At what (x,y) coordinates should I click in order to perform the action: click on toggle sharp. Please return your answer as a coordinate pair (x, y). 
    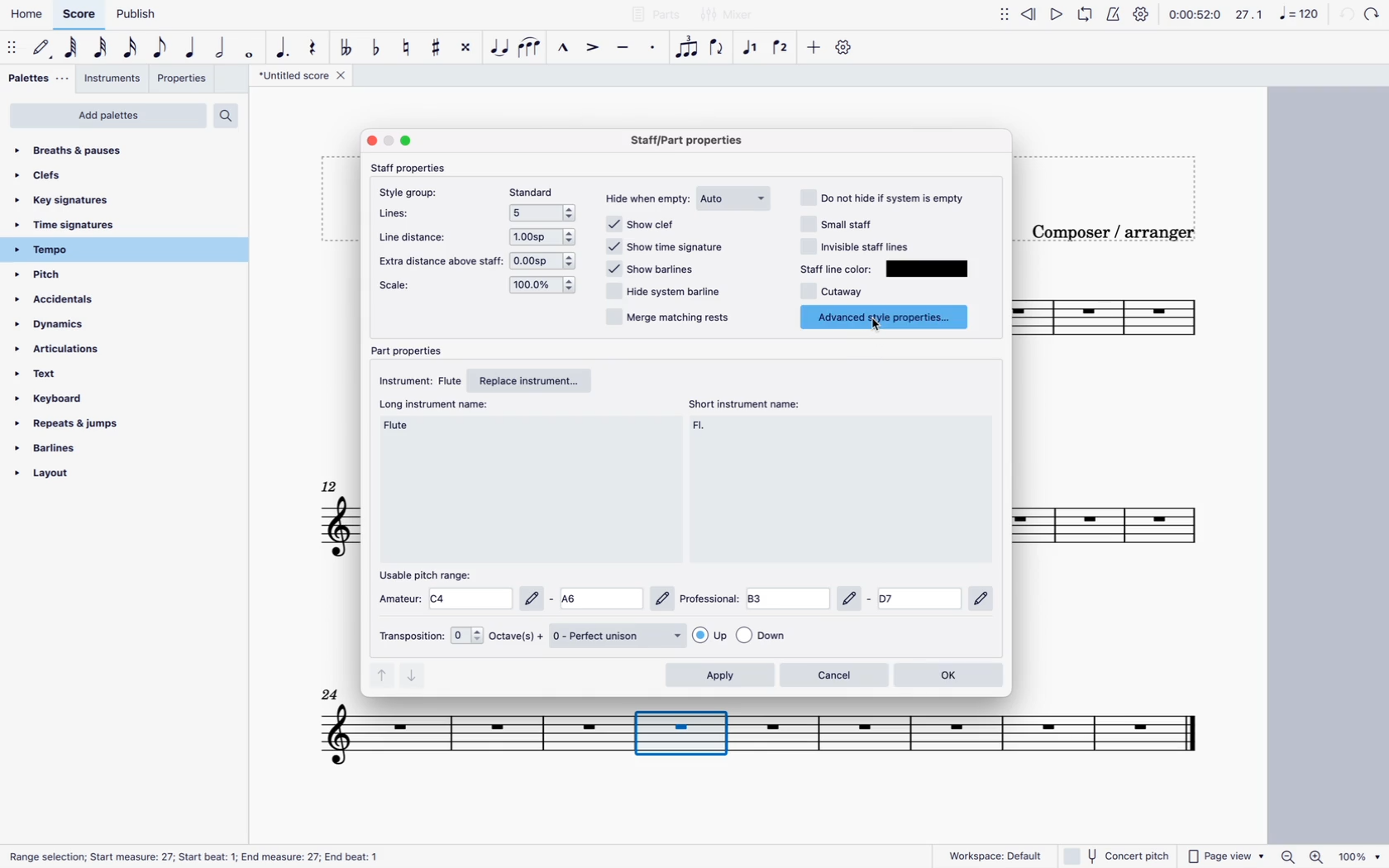
    Looking at the image, I should click on (436, 50).